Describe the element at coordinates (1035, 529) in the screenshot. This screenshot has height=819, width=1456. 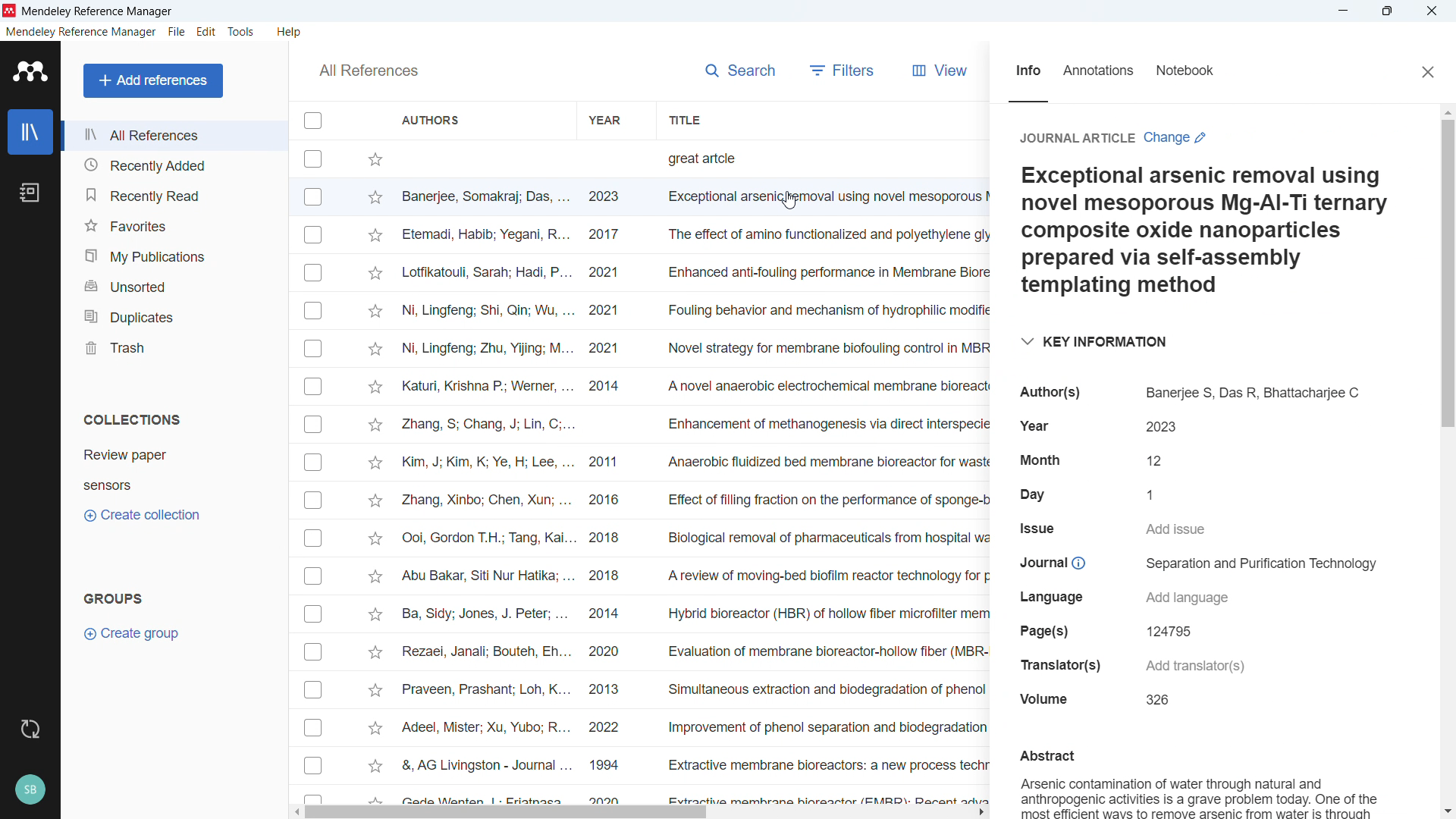
I see `Issue` at that location.